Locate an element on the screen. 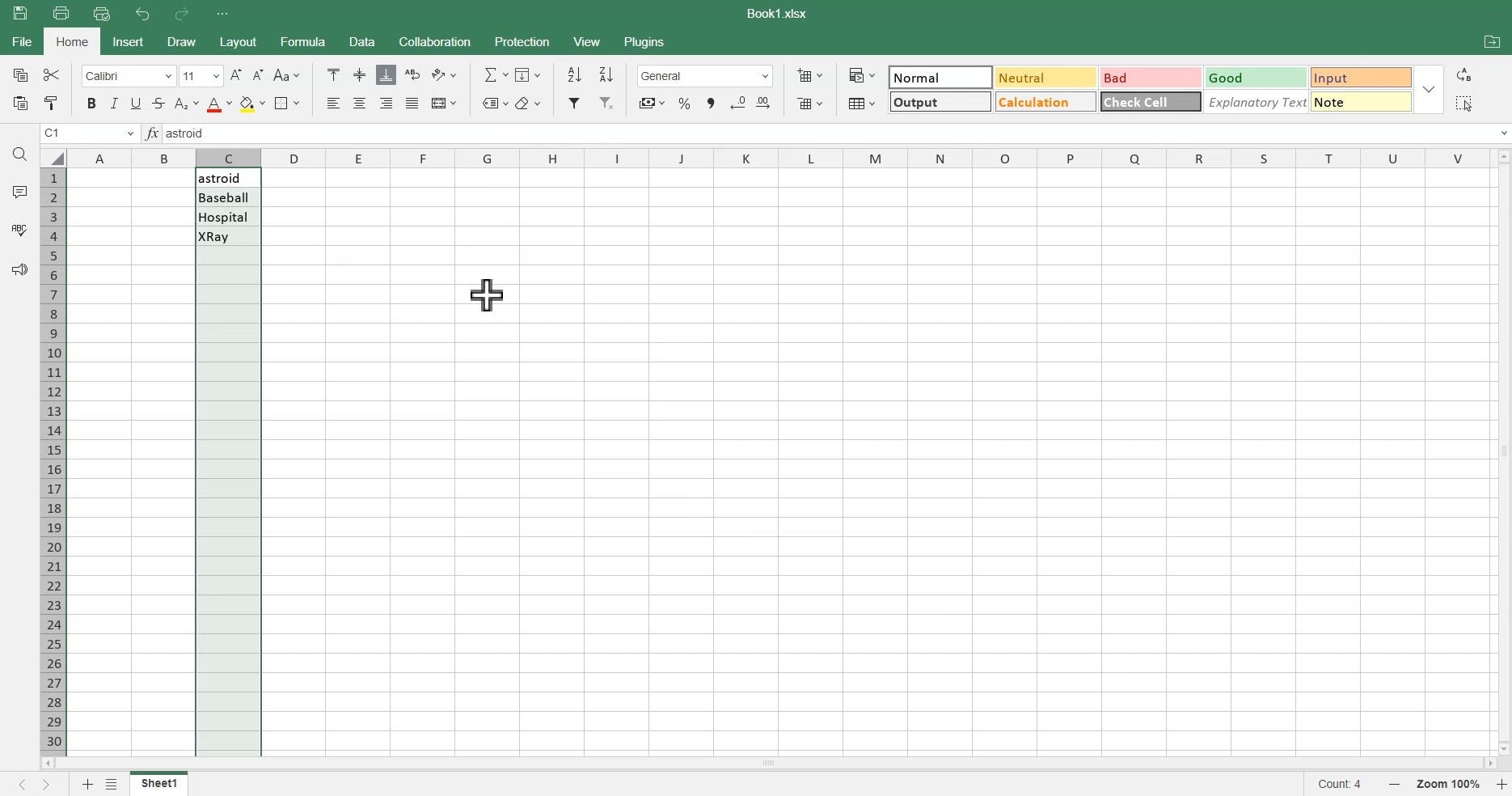  Redo is located at coordinates (180, 15).